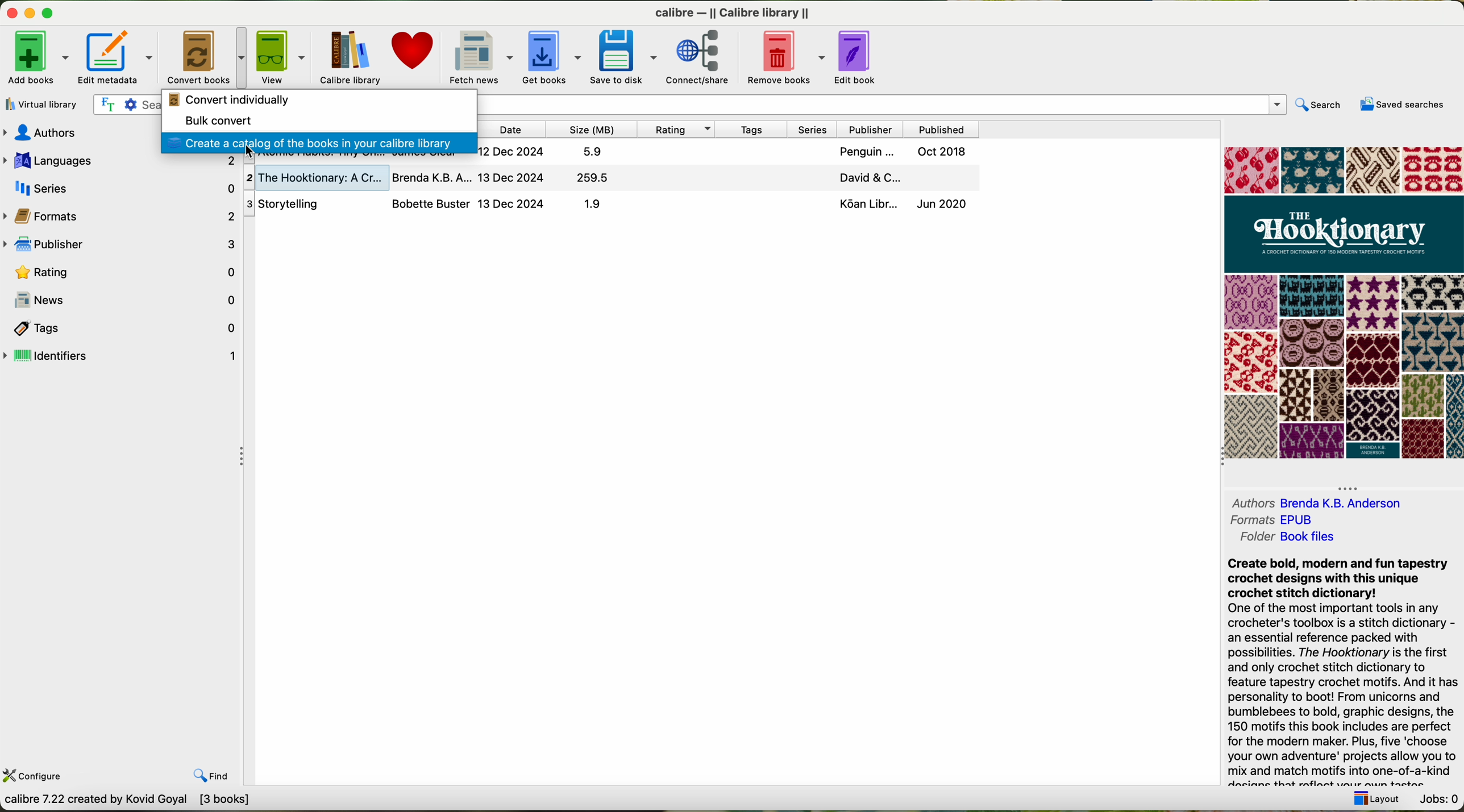 The width and height of the screenshot is (1464, 812). Describe the element at coordinates (551, 56) in the screenshot. I see `get books` at that location.